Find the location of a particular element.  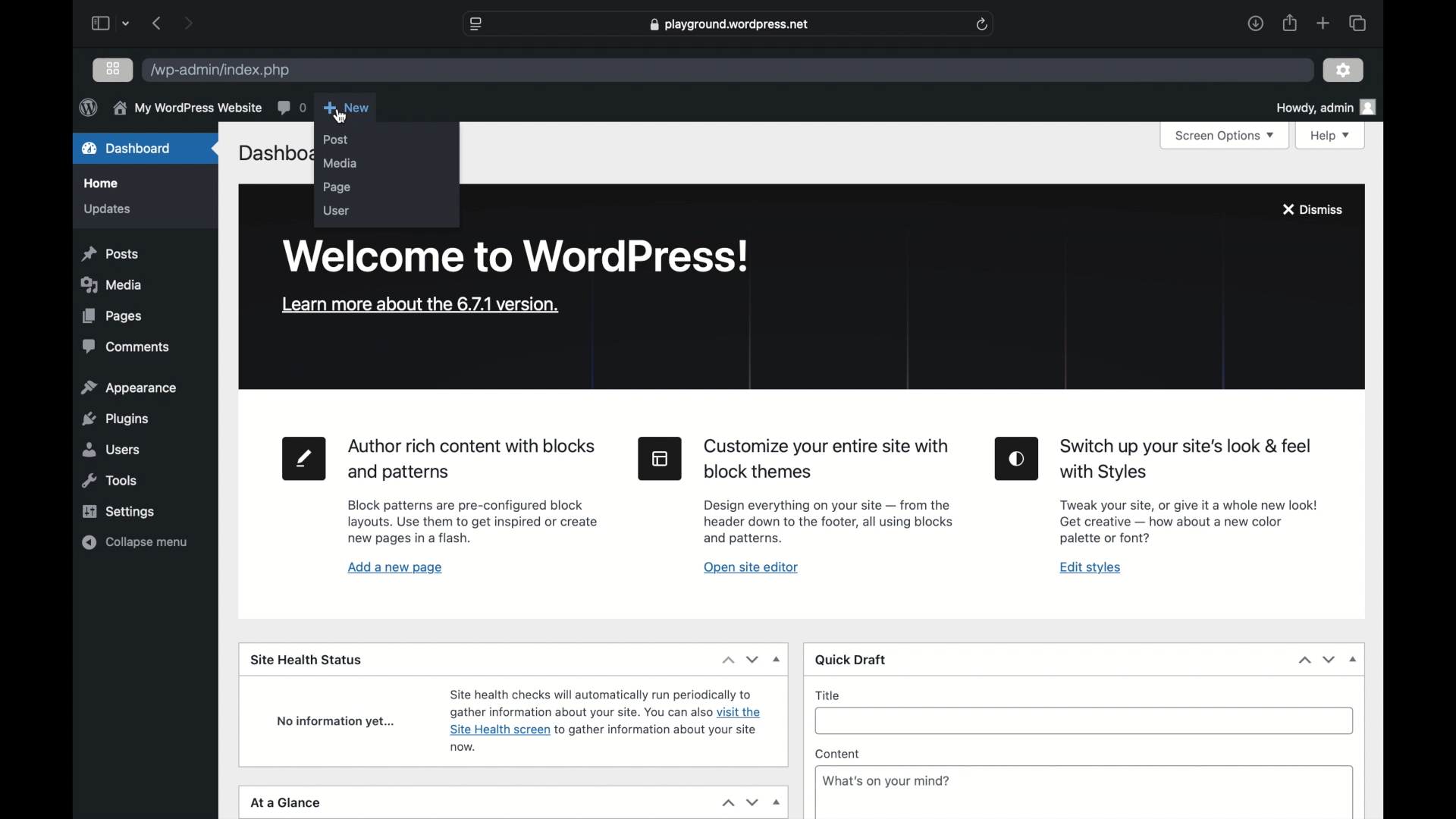

home is located at coordinates (101, 184).